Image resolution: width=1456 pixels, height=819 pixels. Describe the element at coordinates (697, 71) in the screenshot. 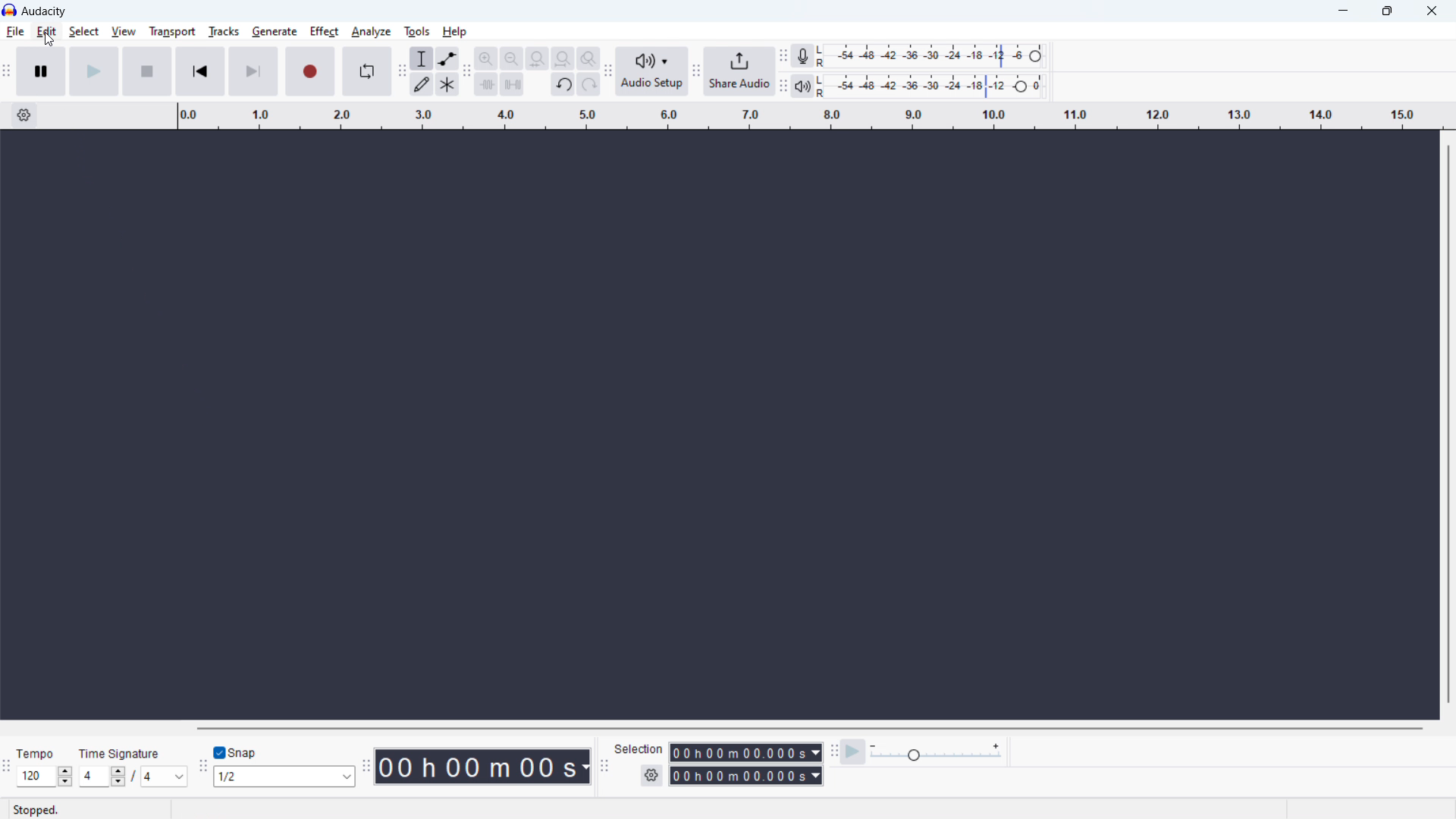

I see `Enabales movement of share audio toolbar` at that location.